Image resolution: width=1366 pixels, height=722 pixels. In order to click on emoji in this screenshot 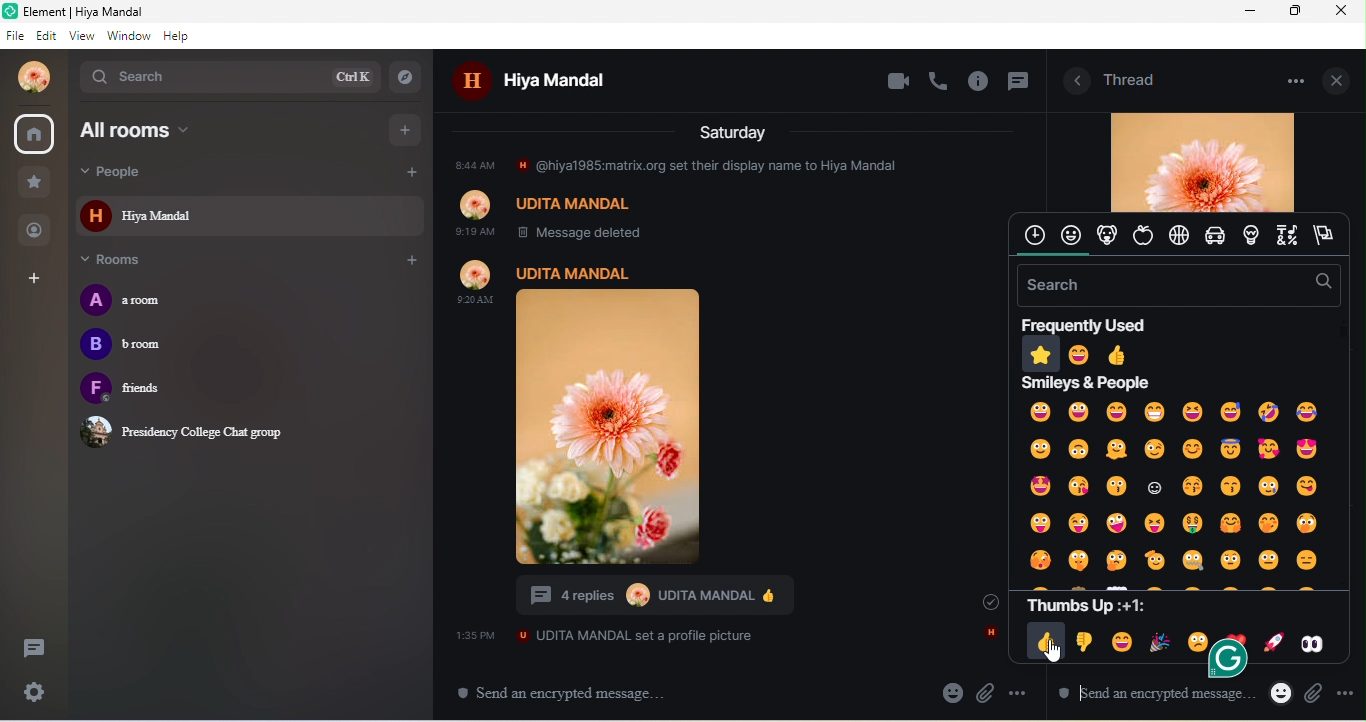, I will do `click(1281, 692)`.